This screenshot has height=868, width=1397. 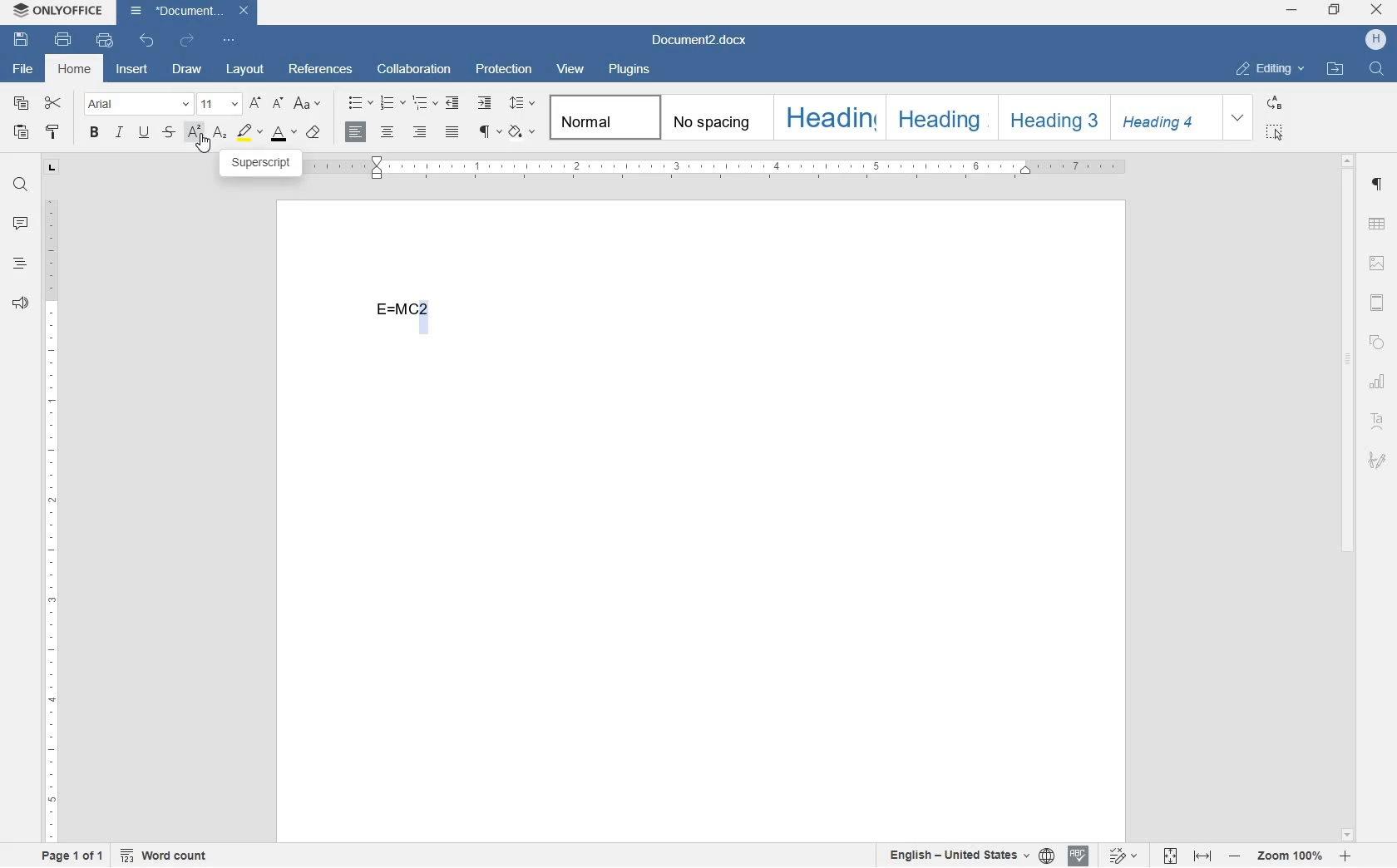 I want to click on change case, so click(x=308, y=104).